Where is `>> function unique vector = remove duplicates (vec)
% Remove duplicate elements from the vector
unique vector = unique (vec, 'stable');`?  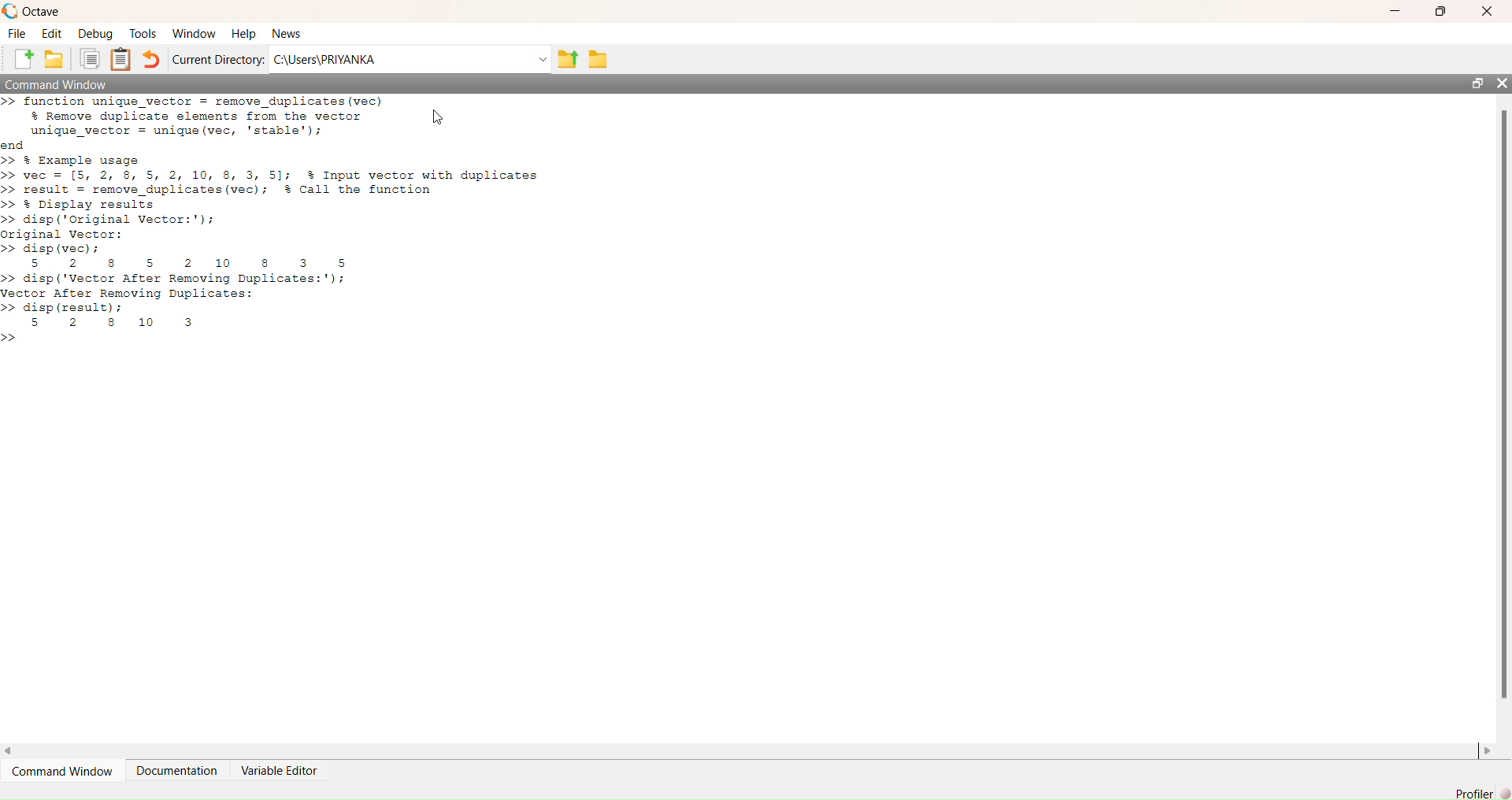 >> function unique vector = remove duplicates (vec)
% Remove duplicate elements from the vector
unique vector = unique (vec, 'stable'); is located at coordinates (195, 116).